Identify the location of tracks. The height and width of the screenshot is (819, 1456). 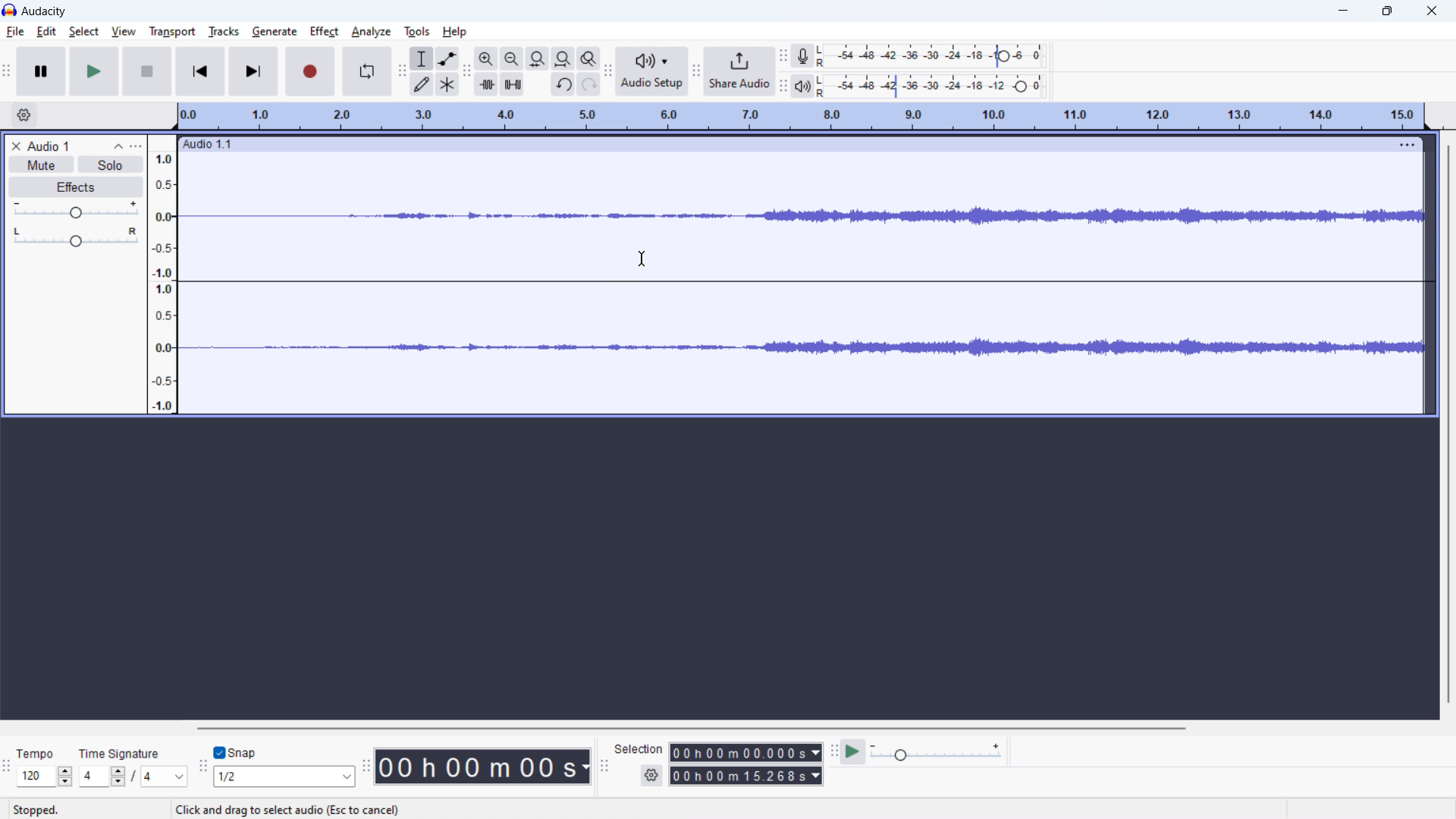
(224, 32).